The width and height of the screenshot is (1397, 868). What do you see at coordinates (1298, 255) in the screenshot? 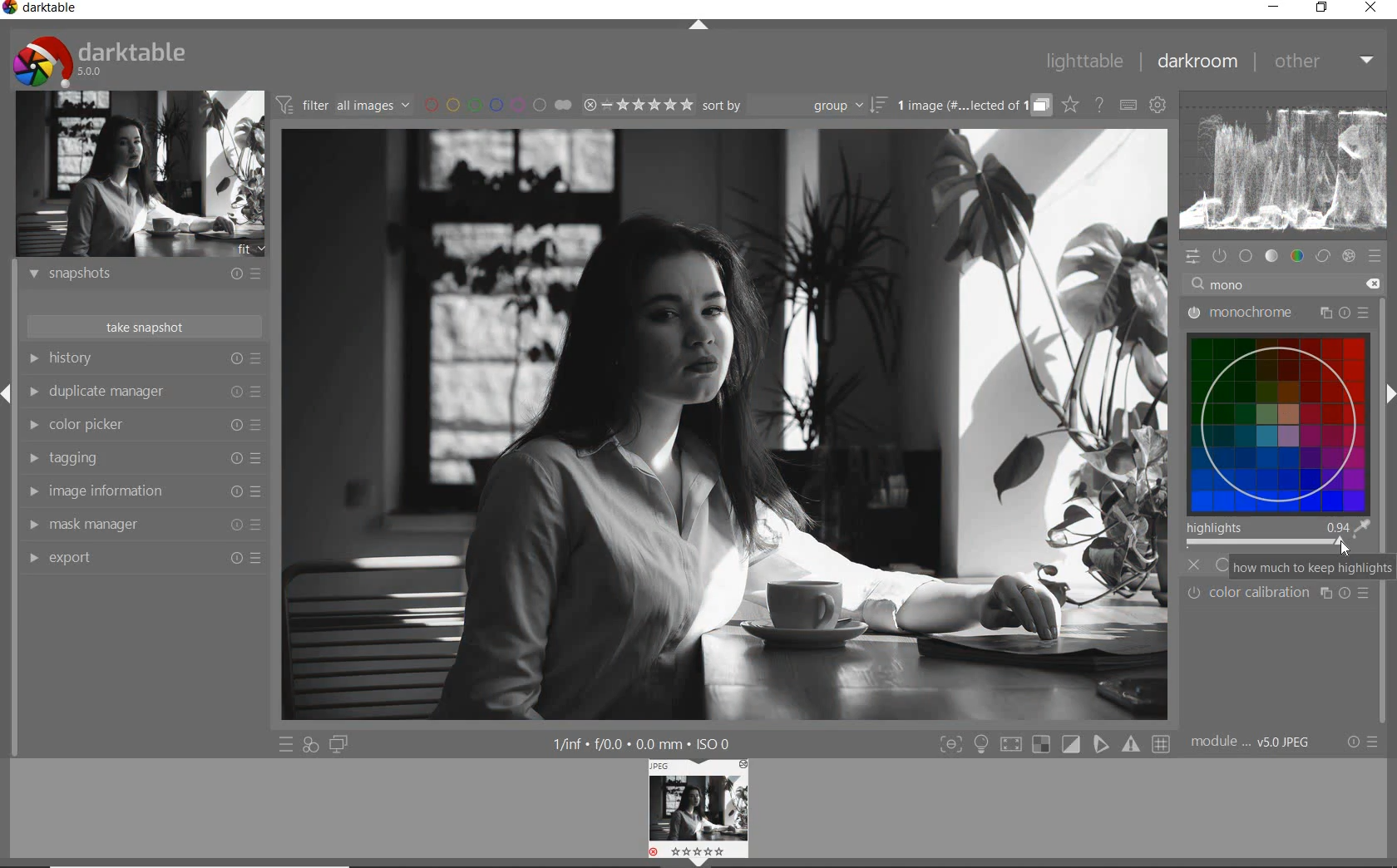
I see `color` at bounding box center [1298, 255].